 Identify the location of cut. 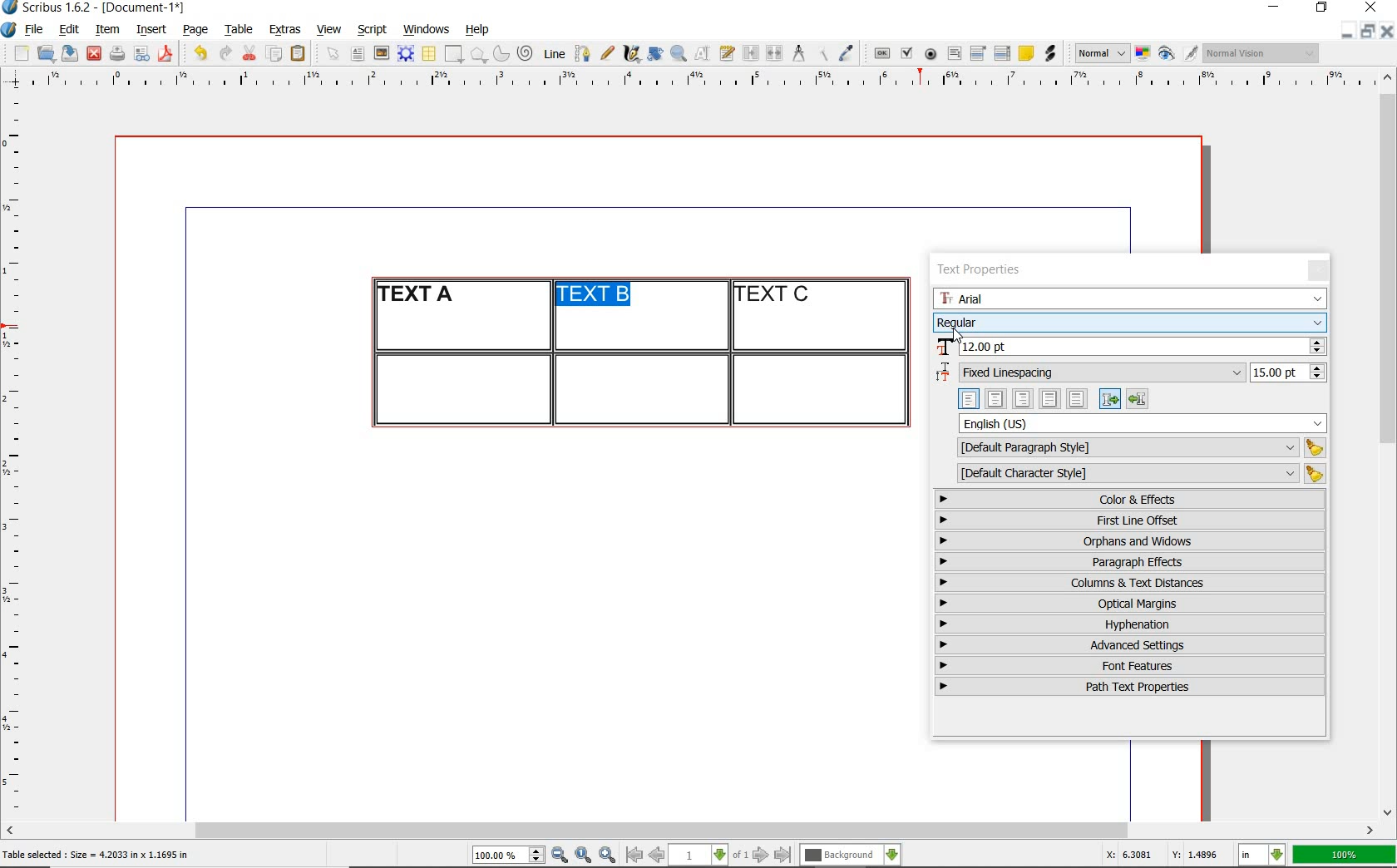
(249, 52).